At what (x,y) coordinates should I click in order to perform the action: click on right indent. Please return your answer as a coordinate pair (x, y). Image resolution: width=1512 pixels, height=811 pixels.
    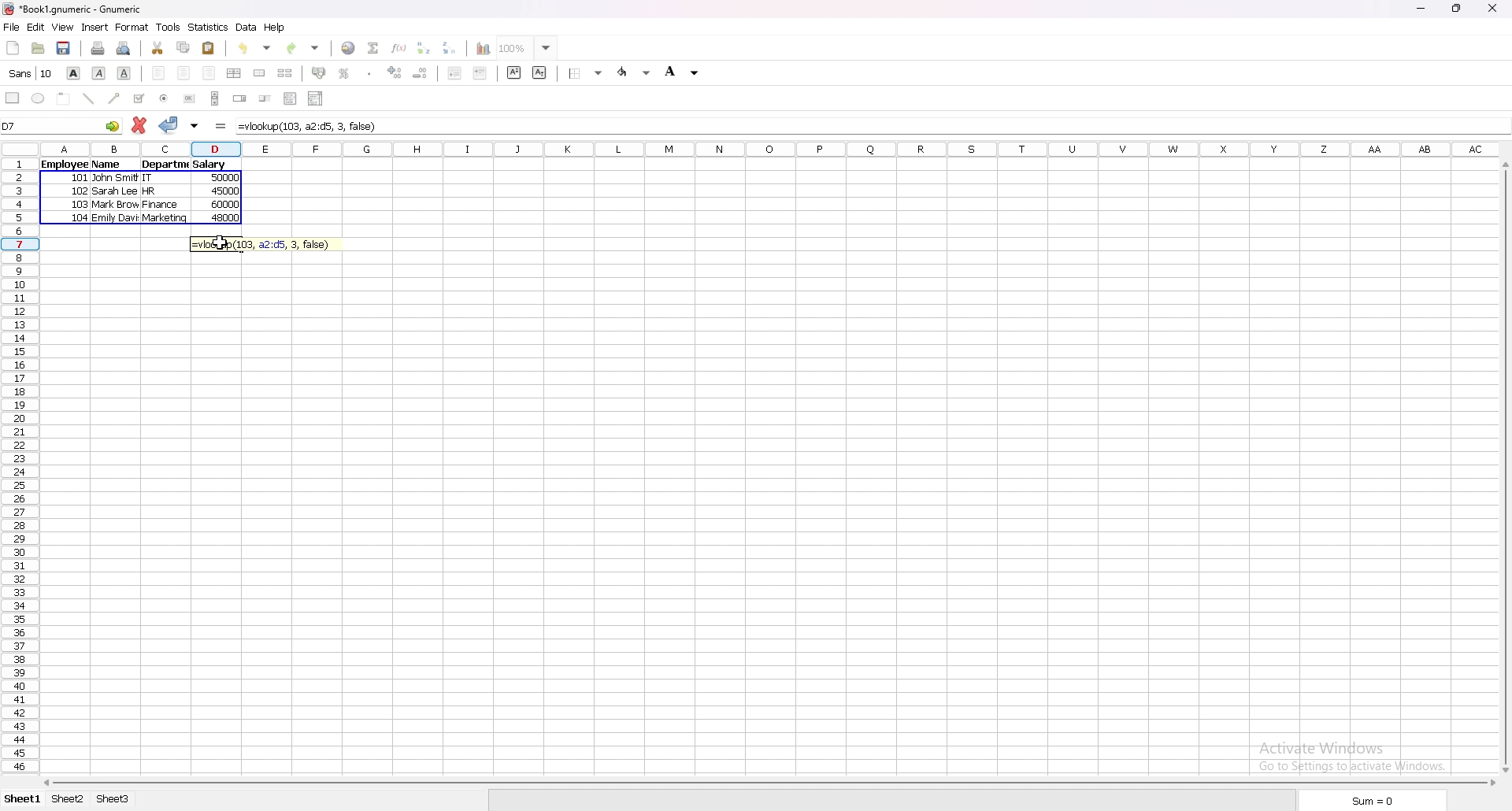
    Looking at the image, I should click on (209, 73).